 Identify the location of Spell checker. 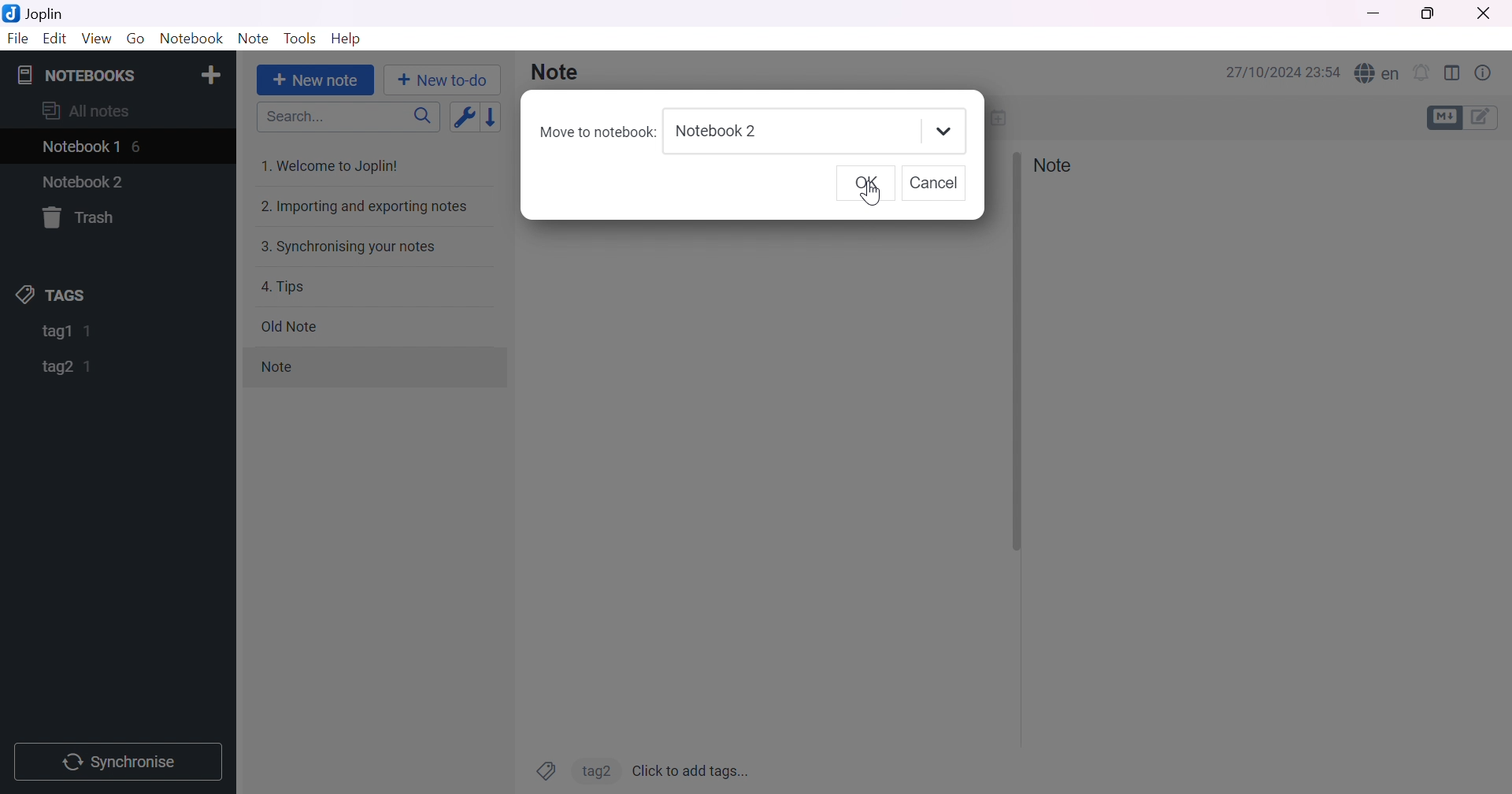
(1377, 71).